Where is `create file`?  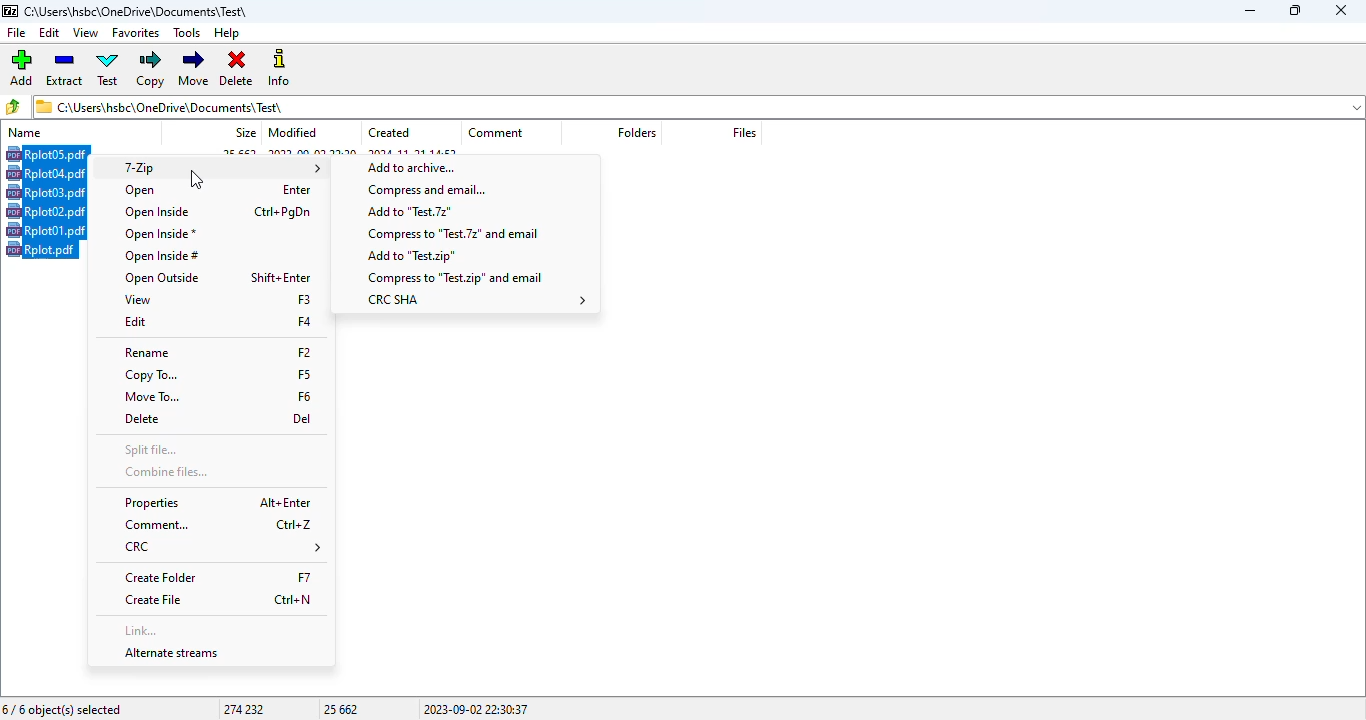
create file is located at coordinates (222, 600).